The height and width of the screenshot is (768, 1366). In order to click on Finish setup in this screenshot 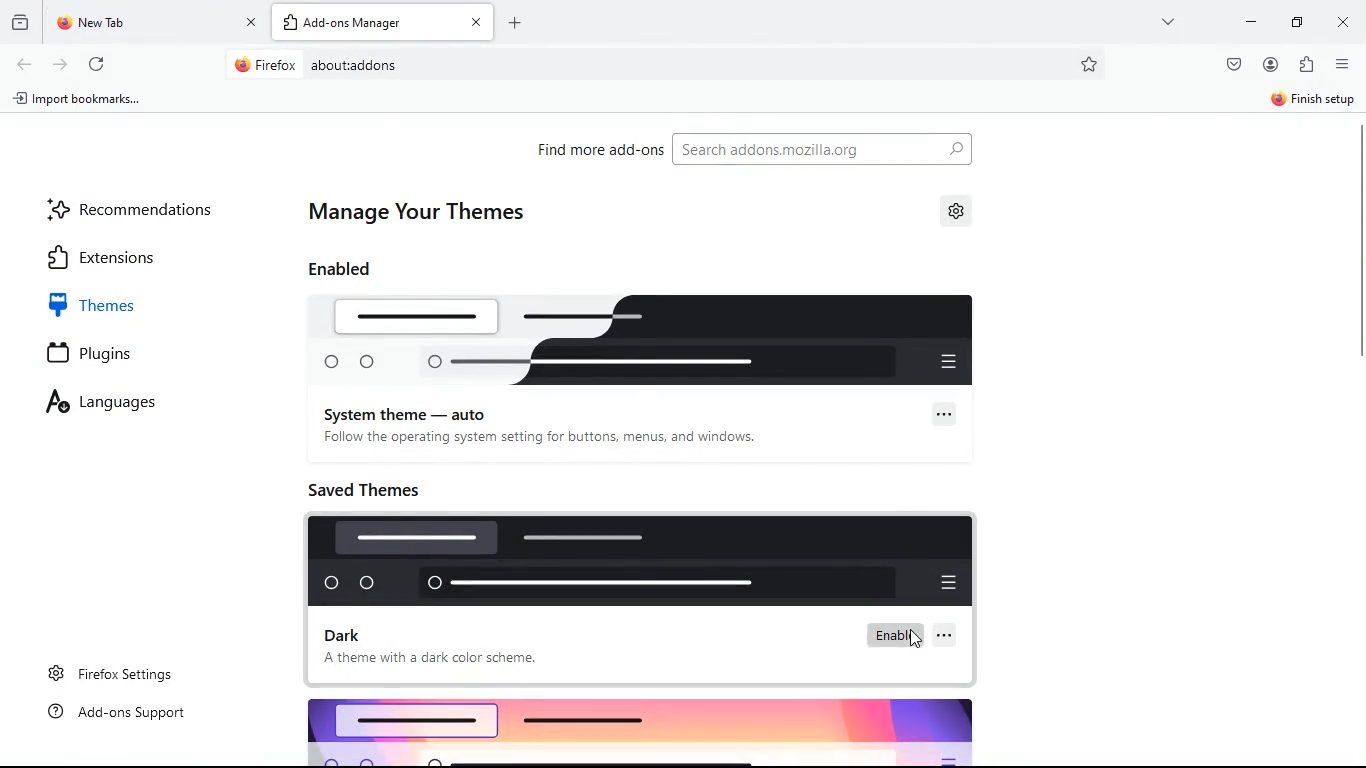, I will do `click(1314, 99)`.